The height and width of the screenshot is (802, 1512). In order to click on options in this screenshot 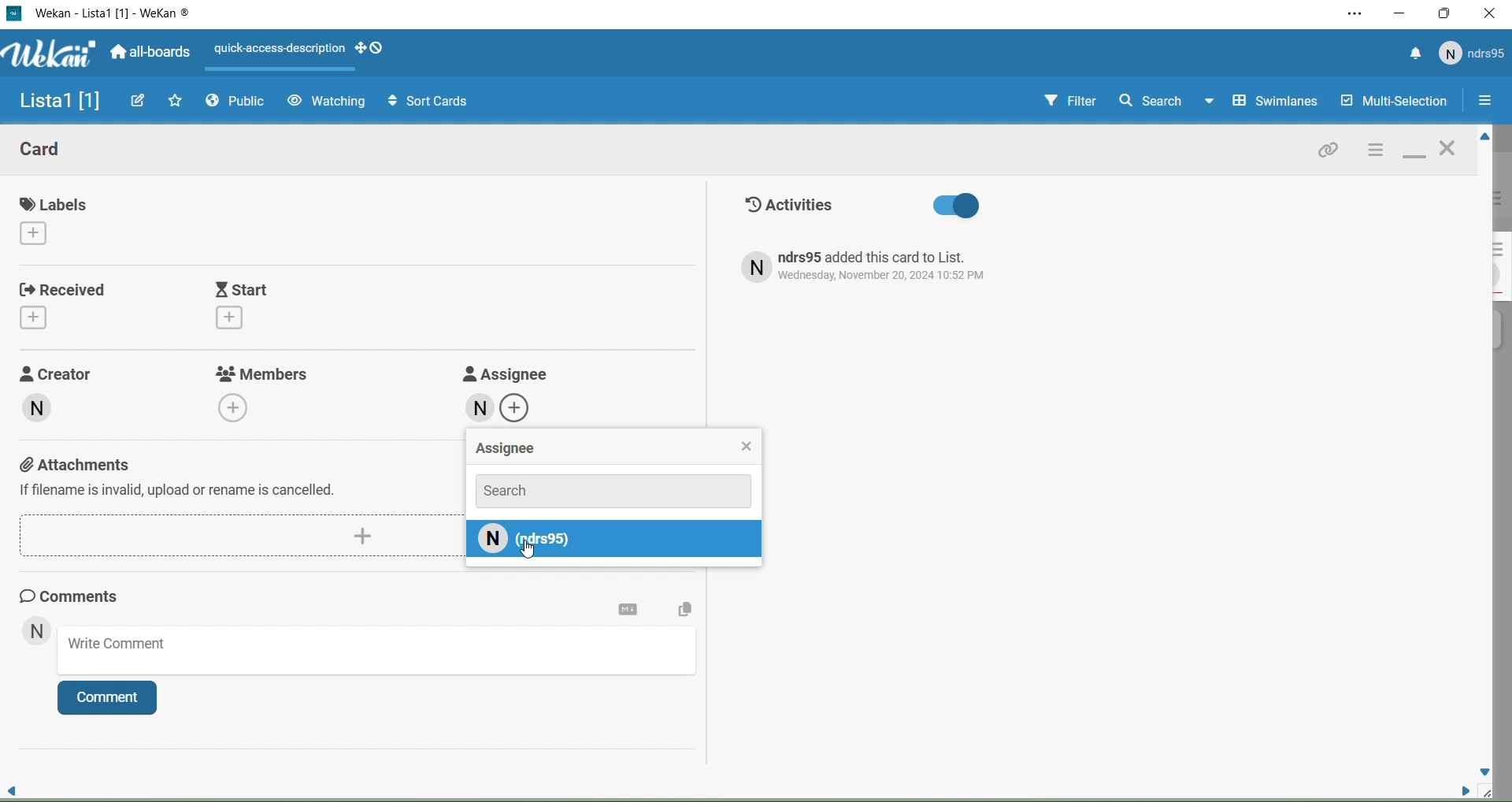, I will do `click(1374, 151)`.